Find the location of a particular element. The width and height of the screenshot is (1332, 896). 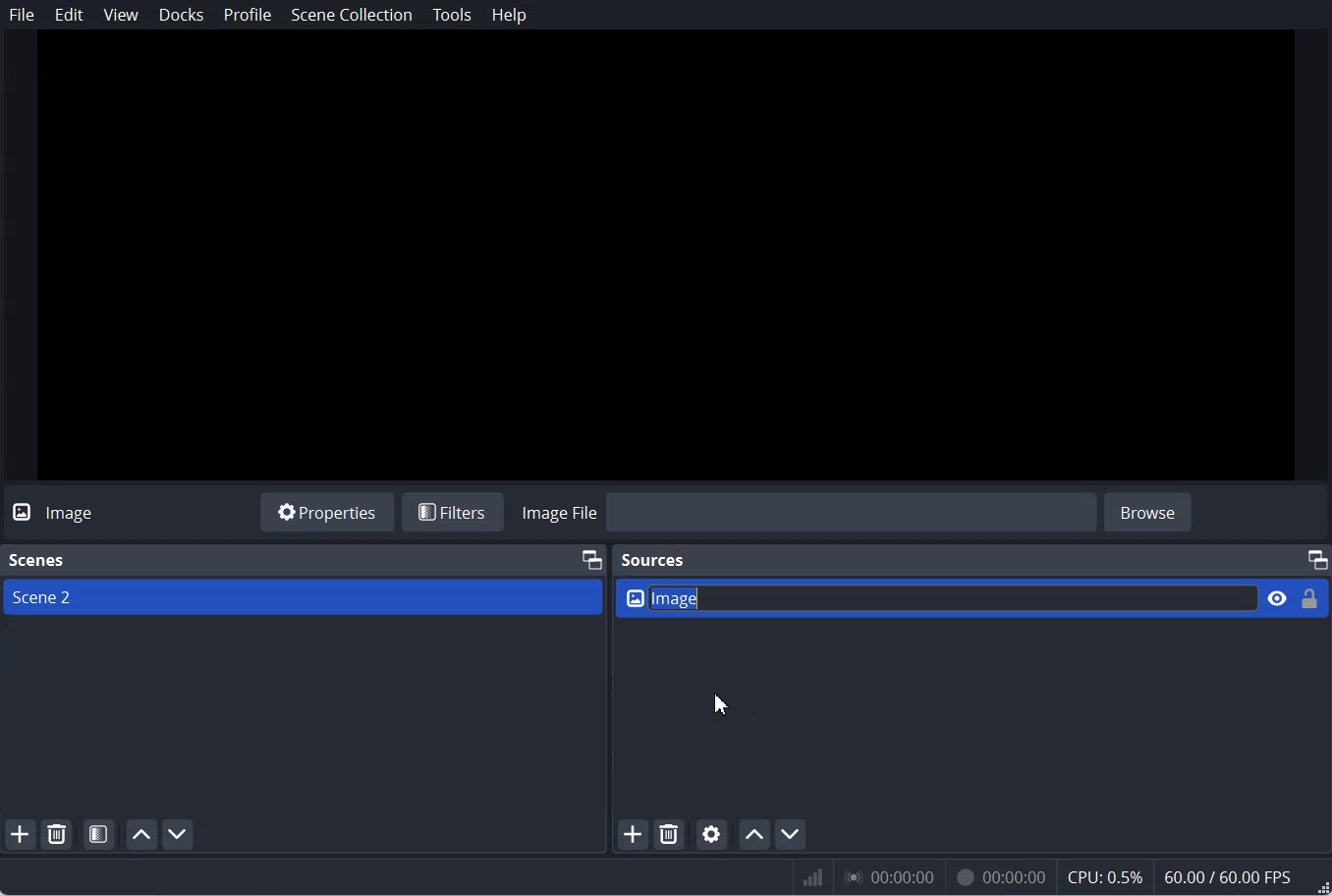

Open source Properties is located at coordinates (711, 833).